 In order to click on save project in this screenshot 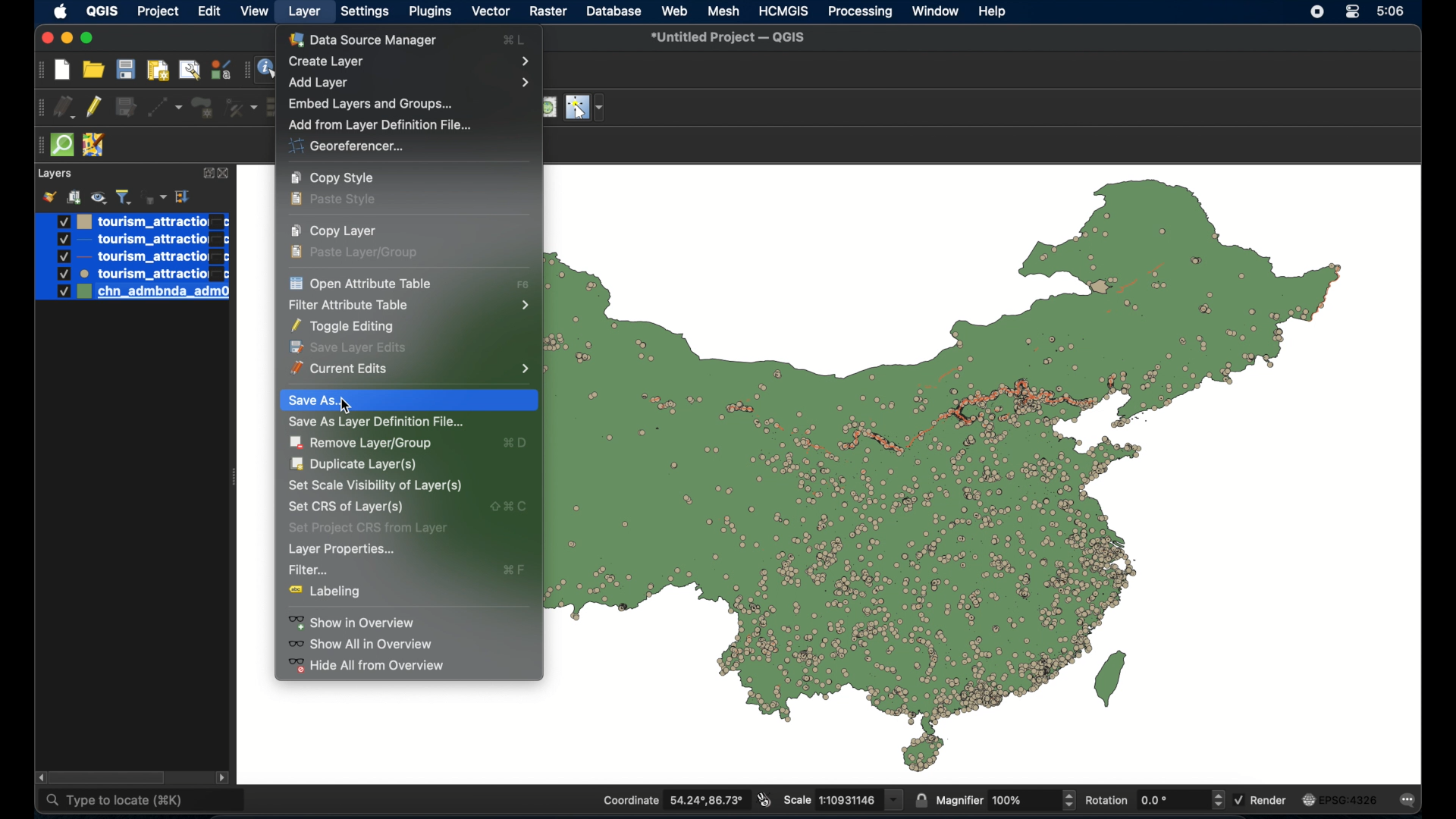, I will do `click(125, 69)`.